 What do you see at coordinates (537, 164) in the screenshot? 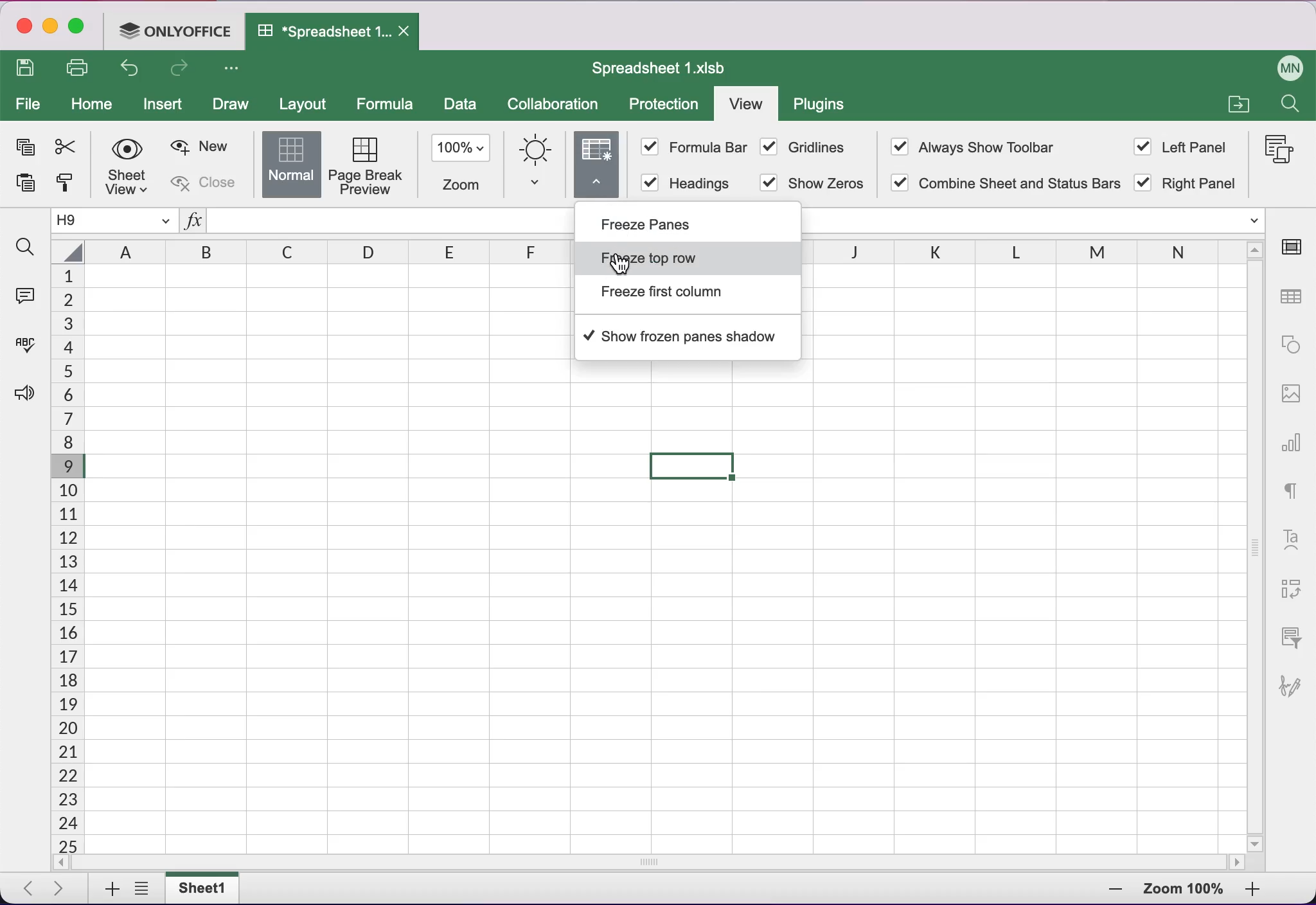
I see `interface theme` at bounding box center [537, 164].